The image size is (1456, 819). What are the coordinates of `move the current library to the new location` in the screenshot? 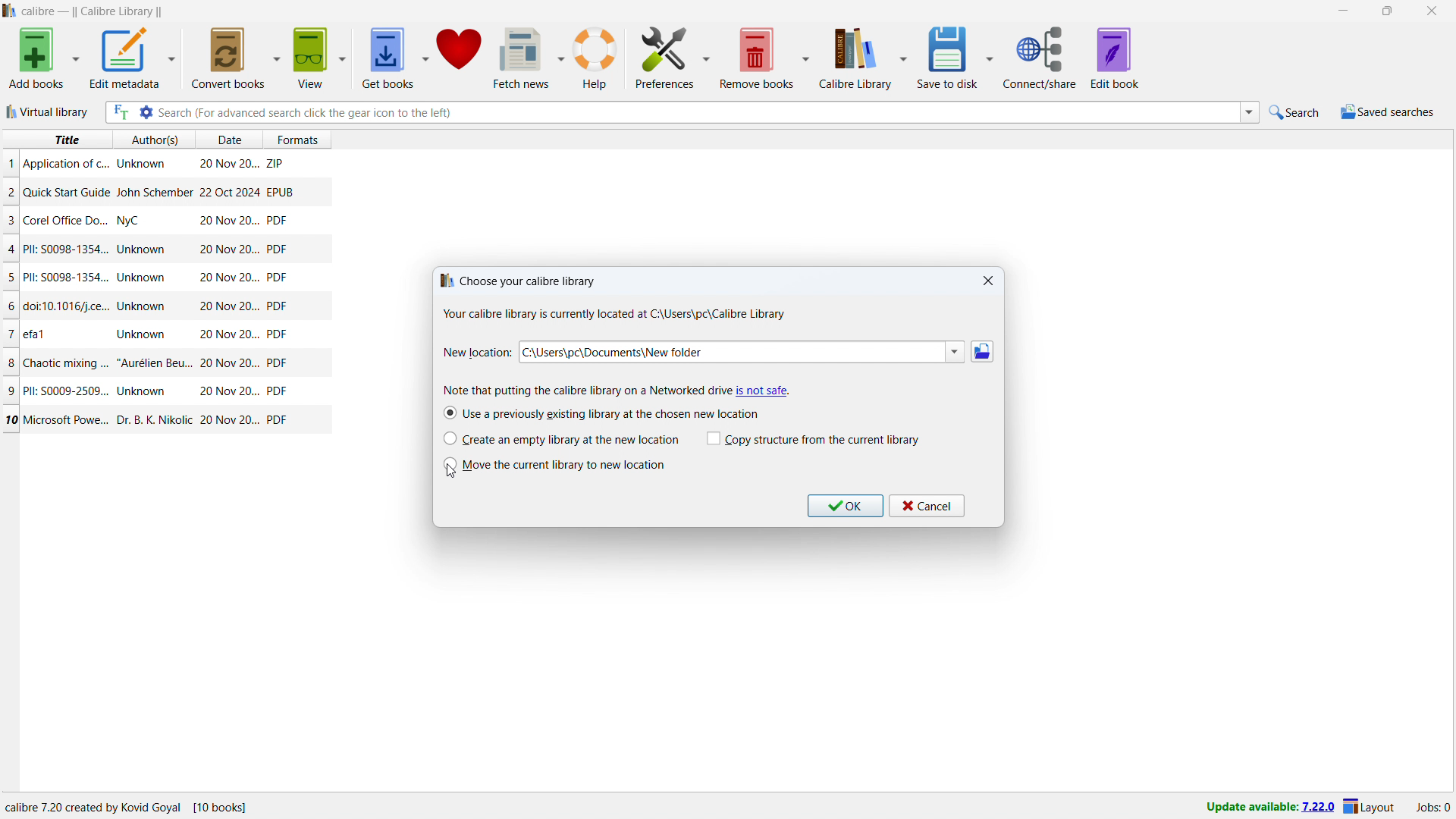 It's located at (554, 465).